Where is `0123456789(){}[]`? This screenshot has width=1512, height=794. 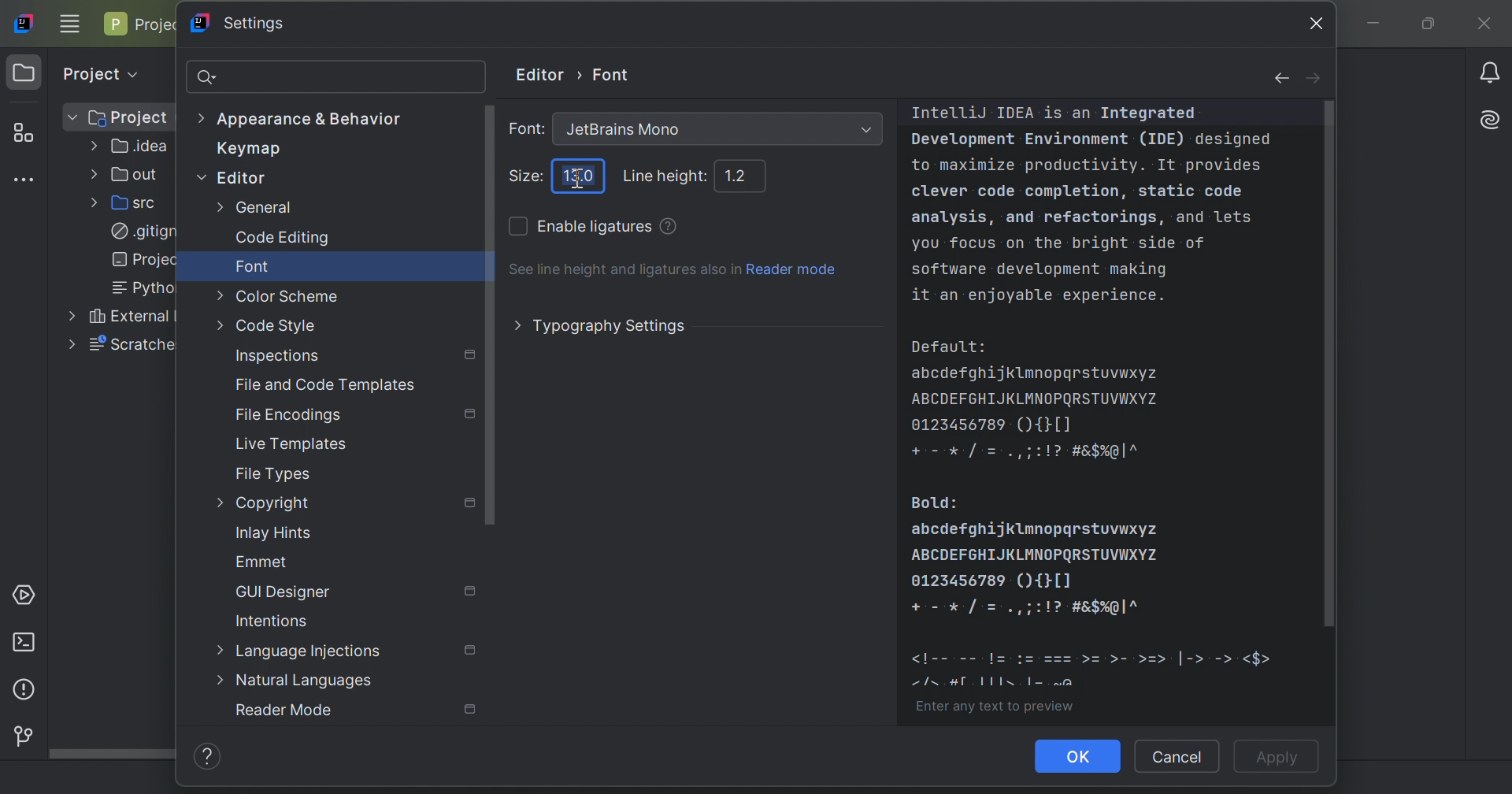
0123456789(){}[] is located at coordinates (993, 426).